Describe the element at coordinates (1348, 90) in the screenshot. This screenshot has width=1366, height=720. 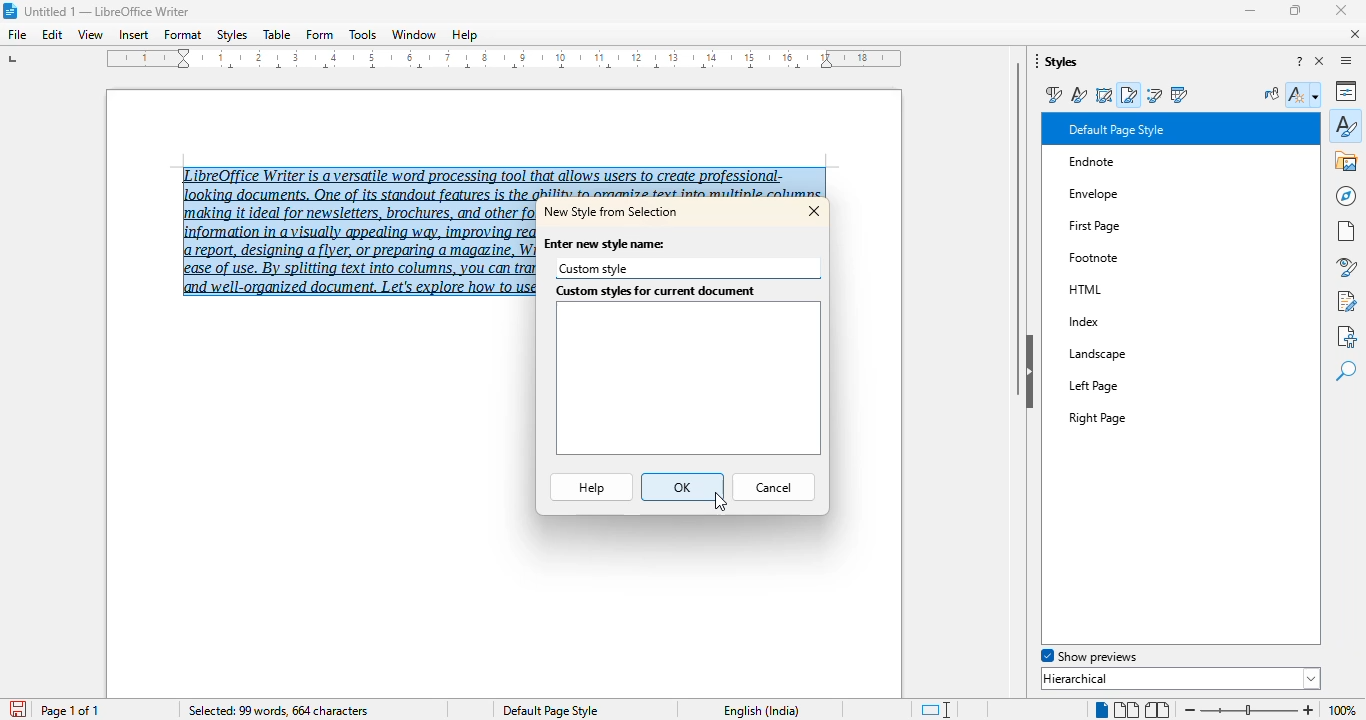
I see `properties` at that location.